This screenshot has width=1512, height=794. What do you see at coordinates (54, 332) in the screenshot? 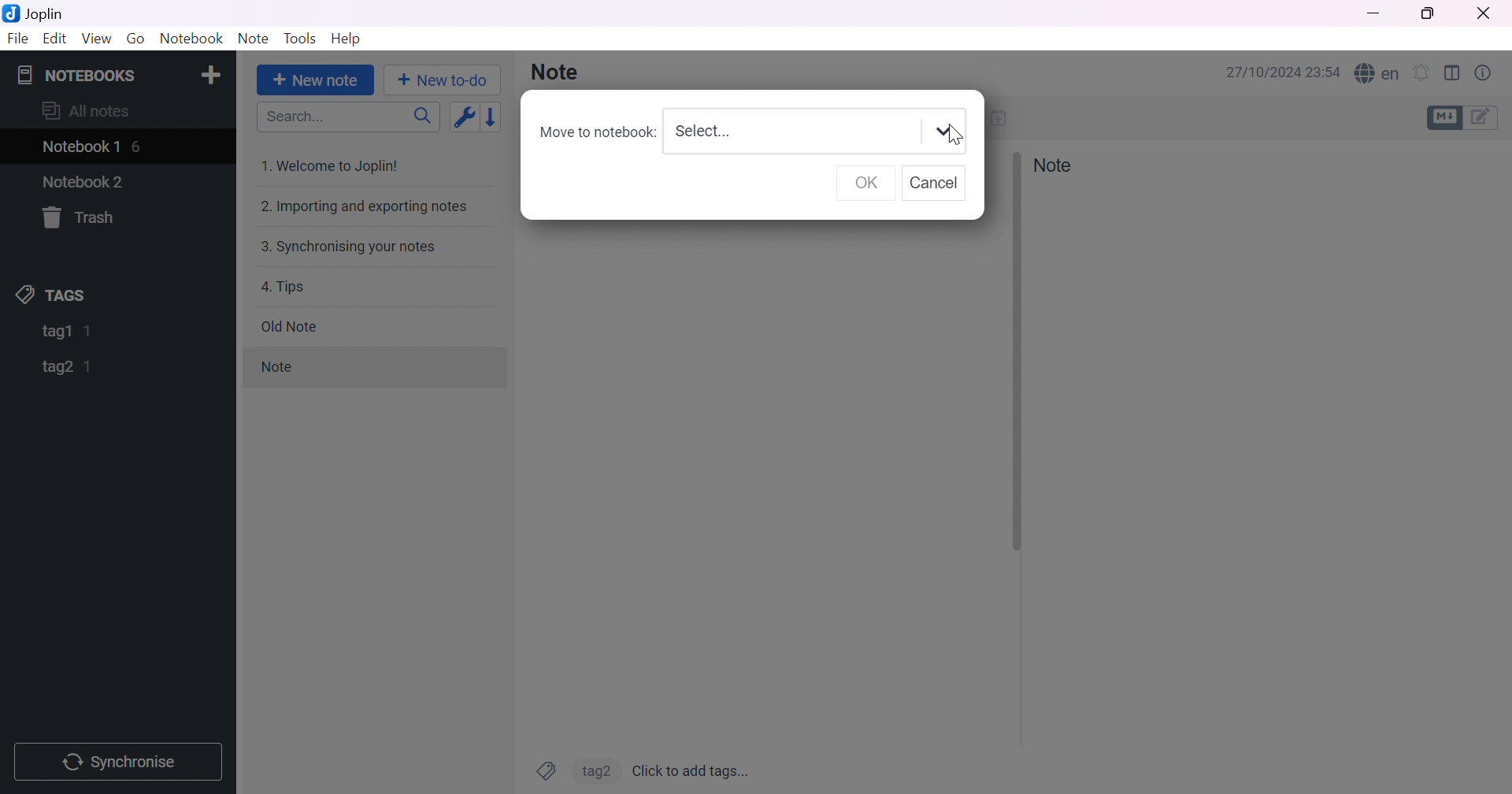
I see `tag1` at bounding box center [54, 332].